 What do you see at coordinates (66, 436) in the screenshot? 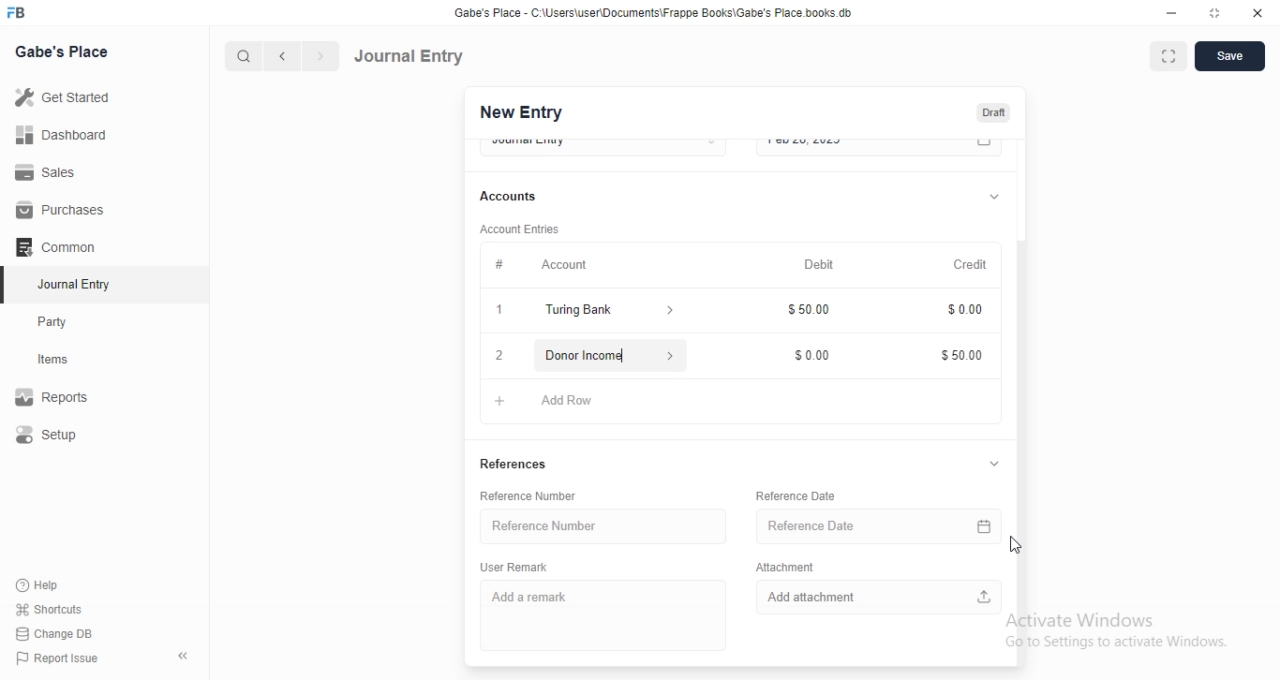
I see `Setup` at bounding box center [66, 436].